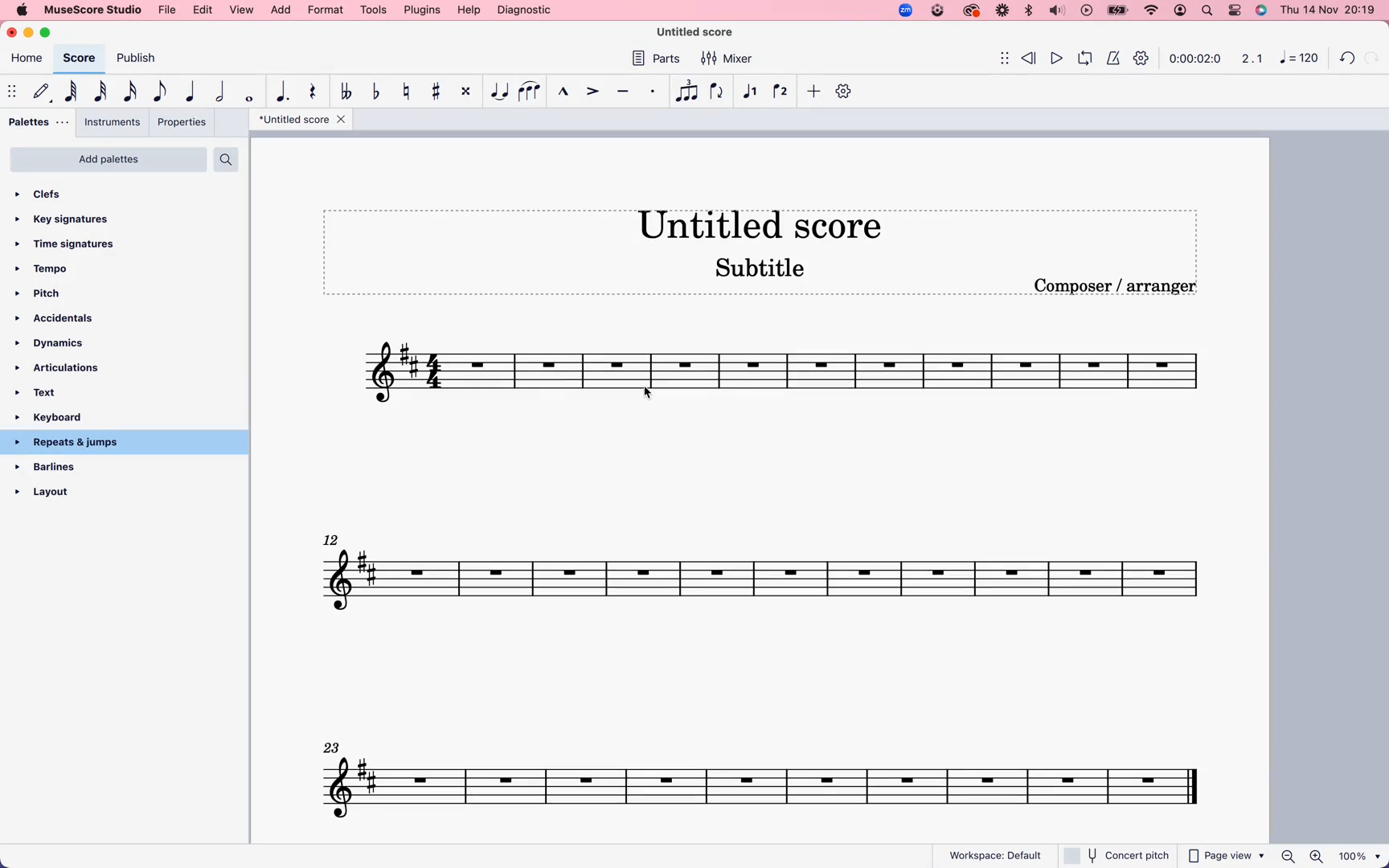  I want to click on tools, so click(374, 10).